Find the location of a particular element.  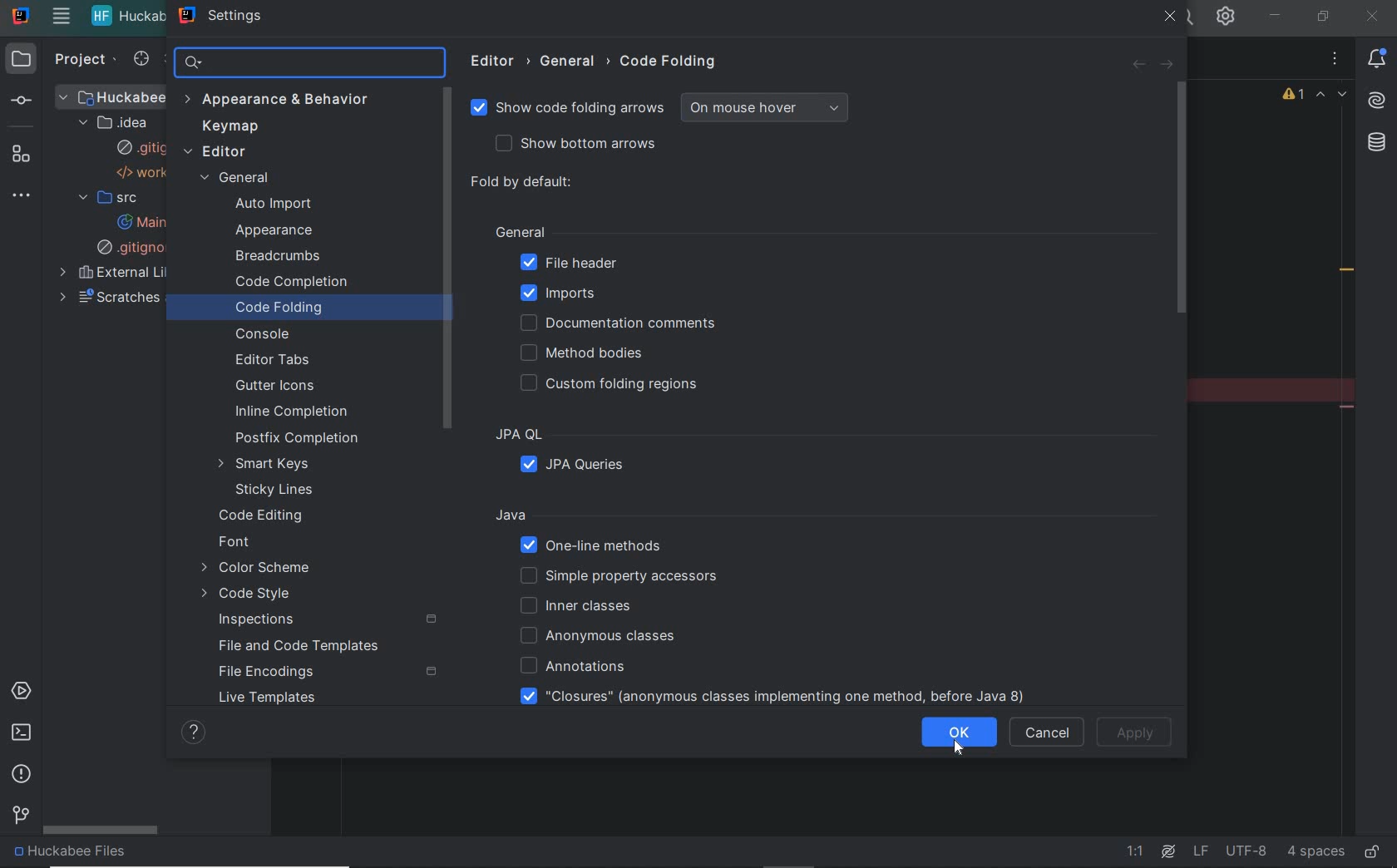

ok is located at coordinates (960, 728).